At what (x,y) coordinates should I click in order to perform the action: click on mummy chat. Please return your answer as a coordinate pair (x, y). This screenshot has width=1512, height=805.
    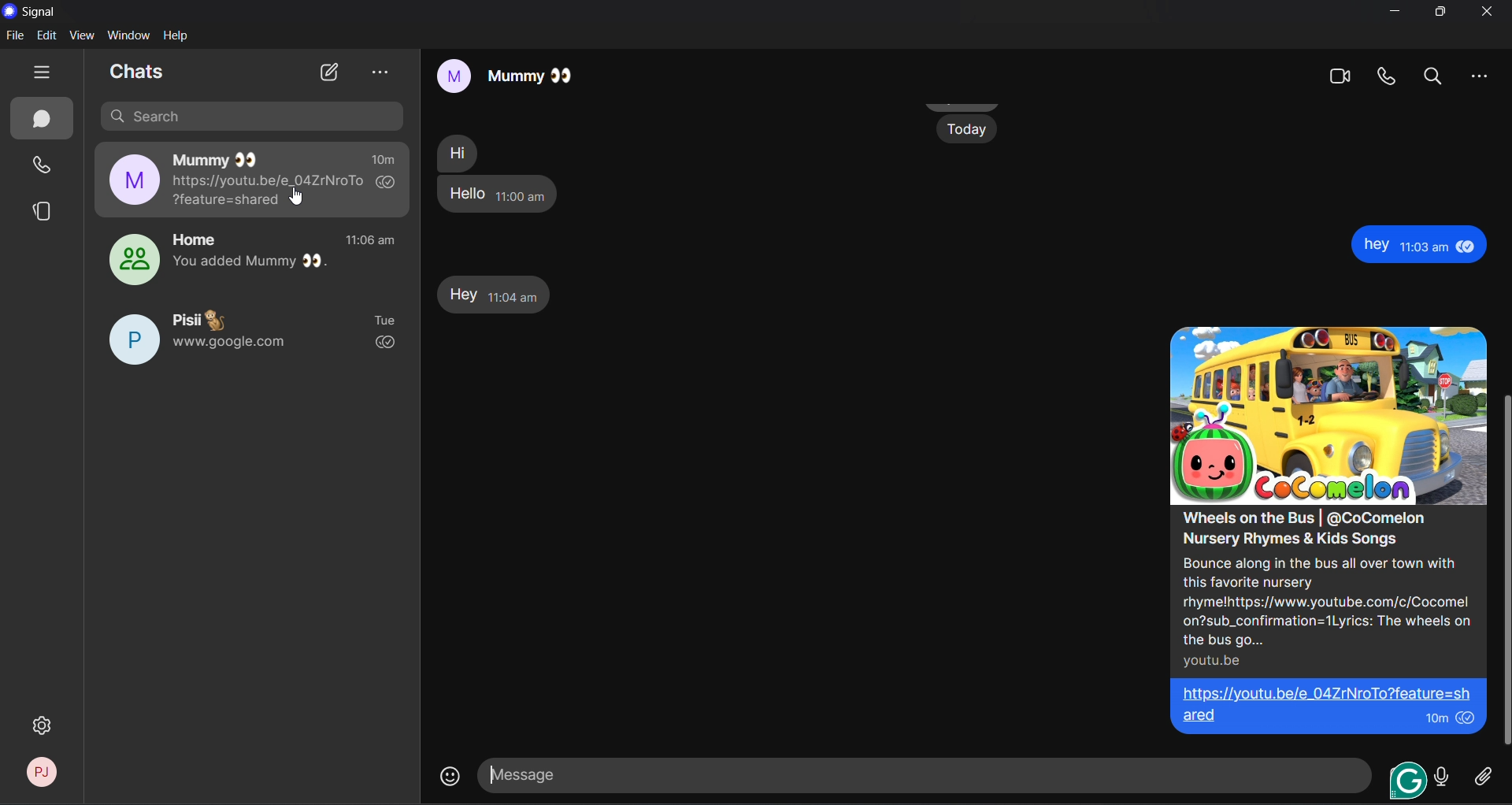
    Looking at the image, I should click on (258, 179).